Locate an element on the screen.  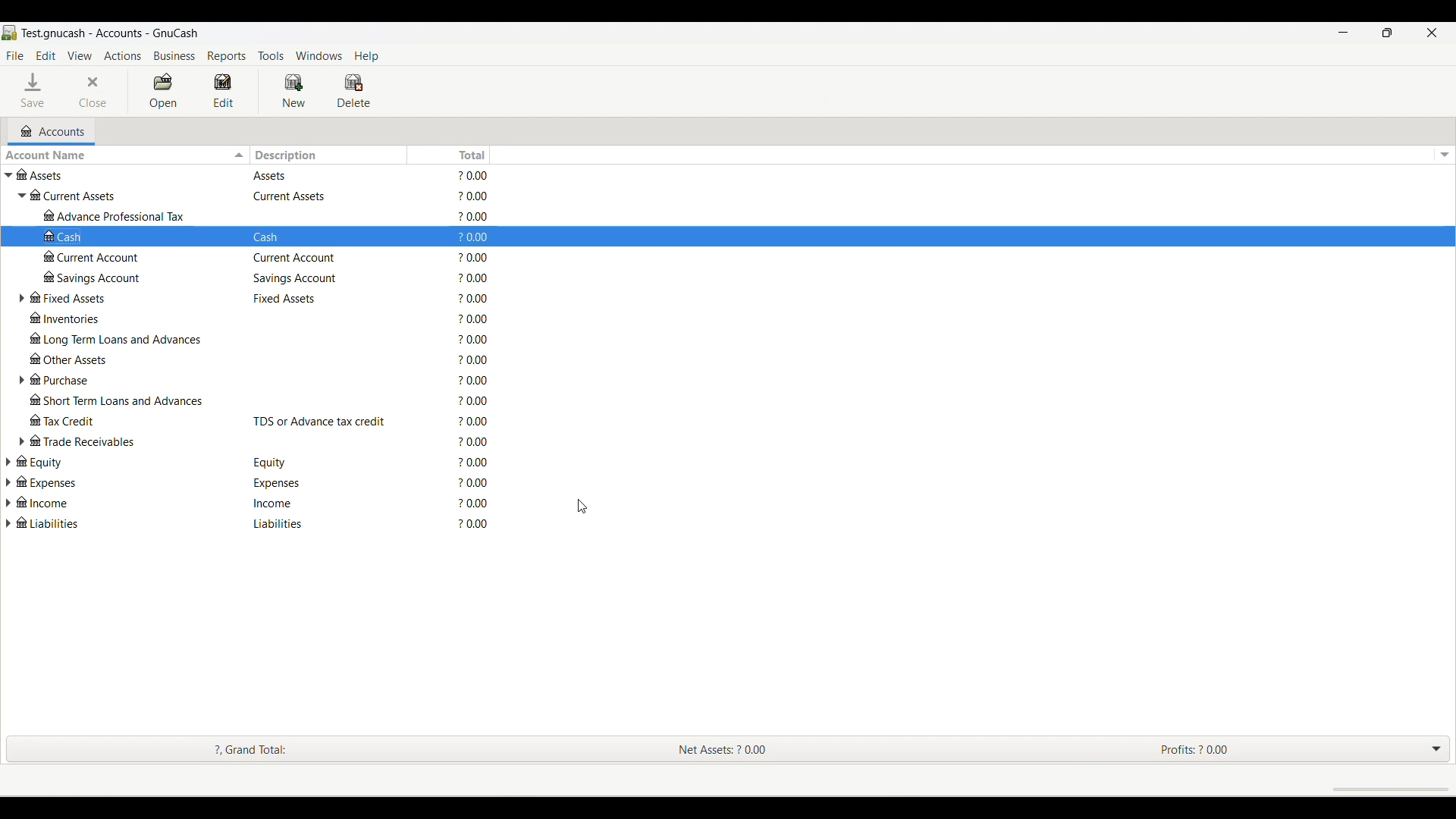
Expand Fixed Assets is located at coordinates (21, 298).